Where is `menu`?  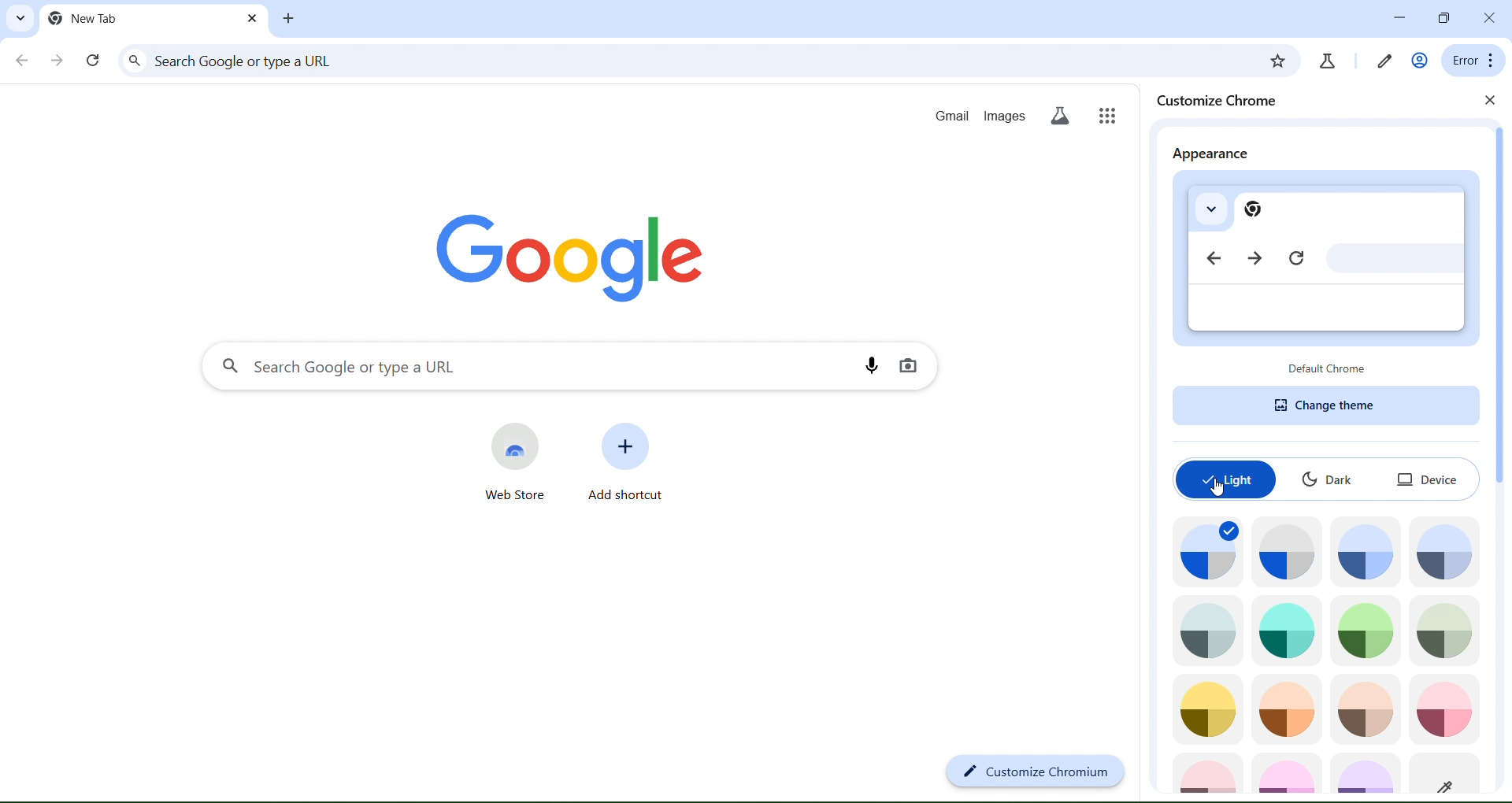
menu is located at coordinates (1469, 60).